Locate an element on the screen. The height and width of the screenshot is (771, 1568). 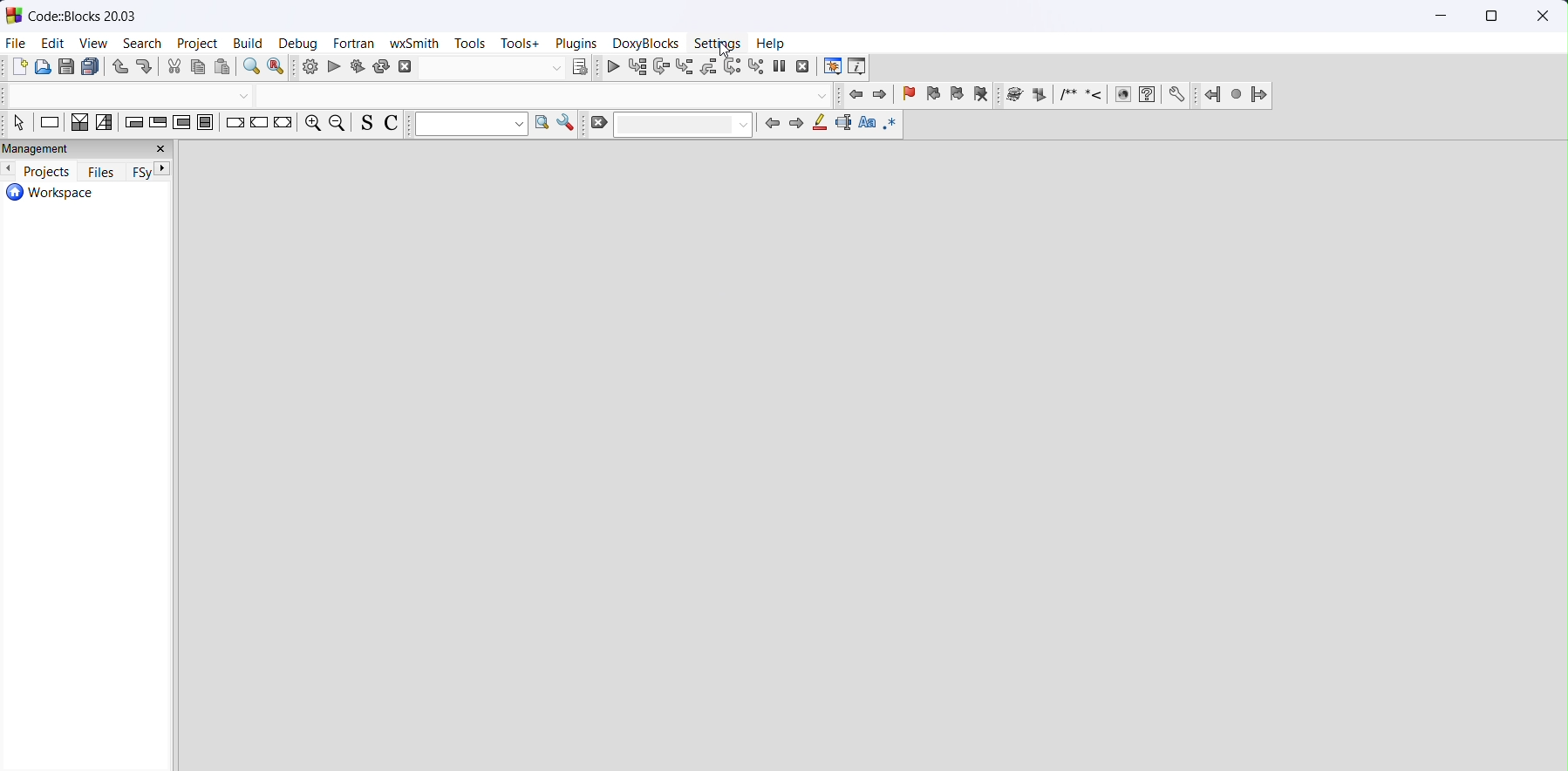
step into  is located at coordinates (685, 68).